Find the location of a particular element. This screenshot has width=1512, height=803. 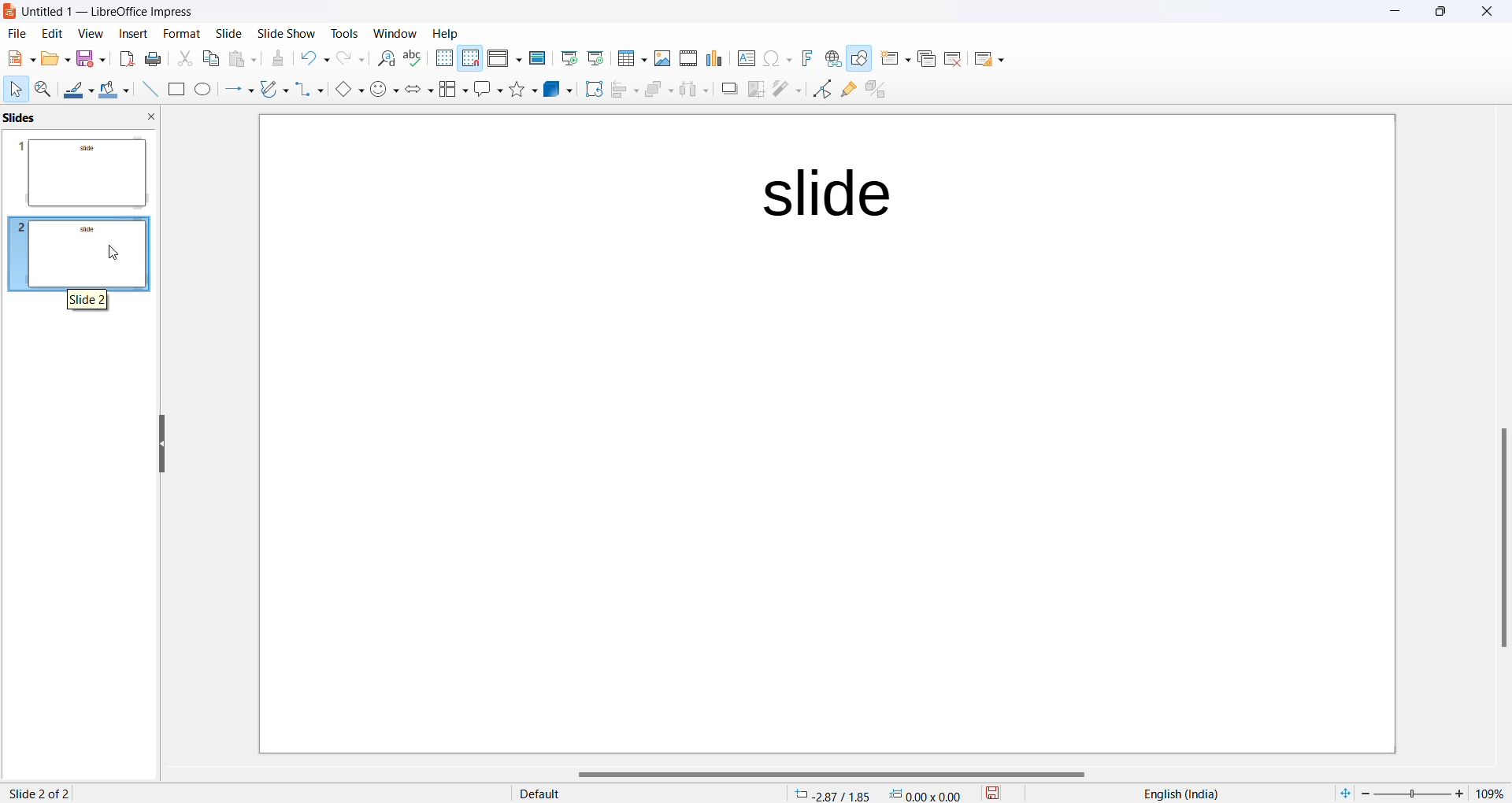

Insert audio and video is located at coordinates (686, 57).